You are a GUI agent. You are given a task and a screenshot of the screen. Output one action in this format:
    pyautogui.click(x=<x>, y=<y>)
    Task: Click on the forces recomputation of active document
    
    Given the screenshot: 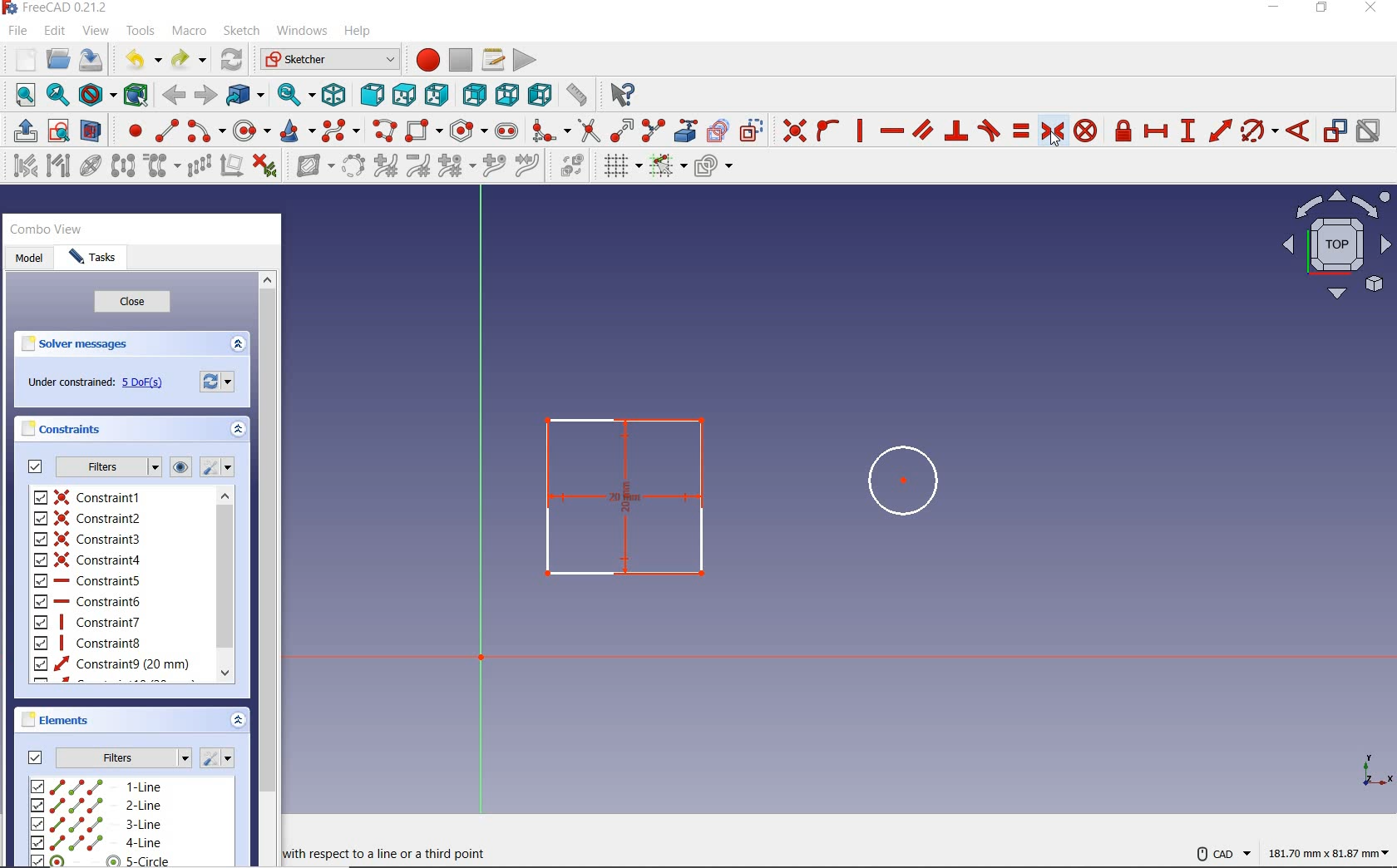 What is the action you would take?
    pyautogui.click(x=221, y=384)
    